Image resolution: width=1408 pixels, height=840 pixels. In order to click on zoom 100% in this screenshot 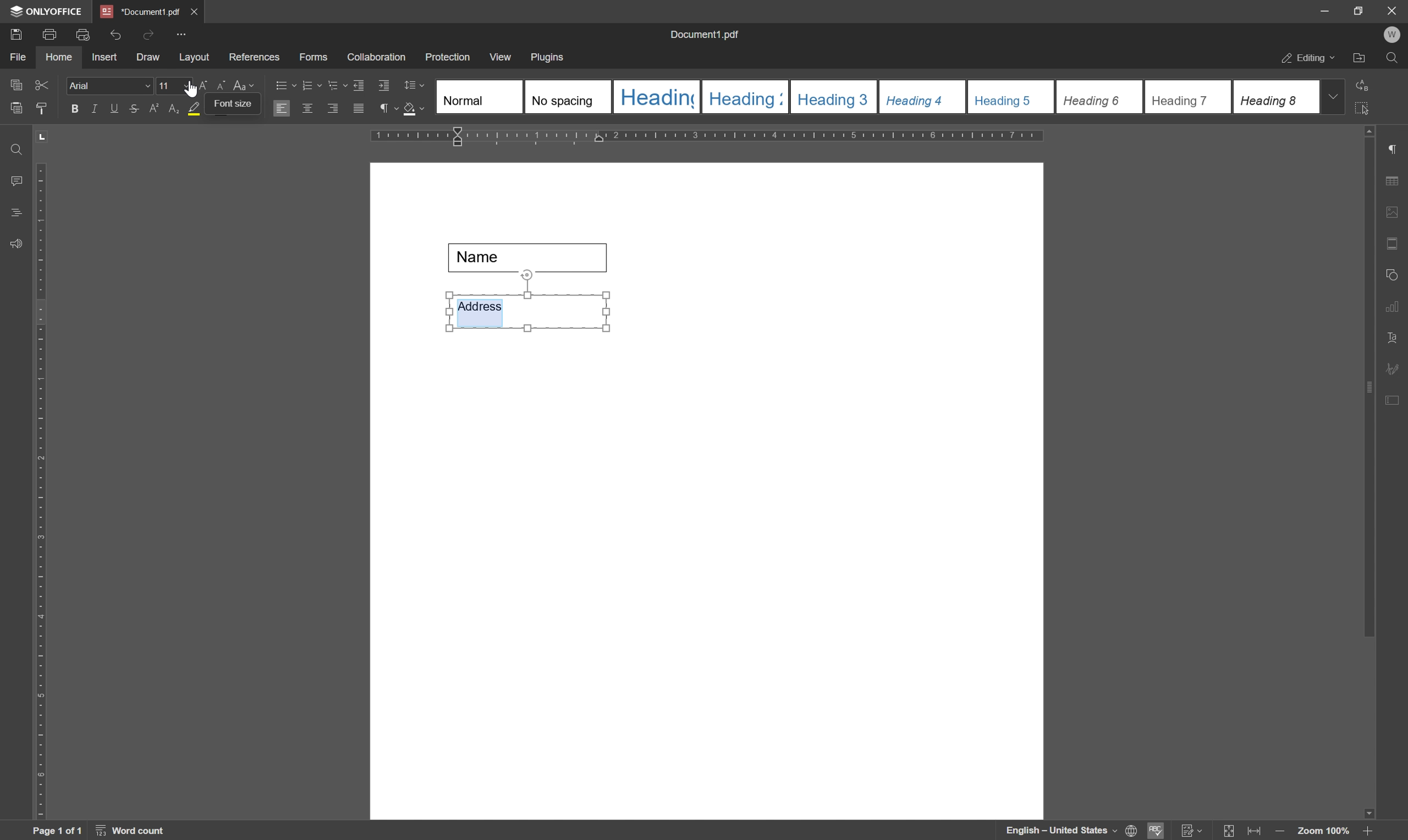, I will do `click(1323, 831)`.